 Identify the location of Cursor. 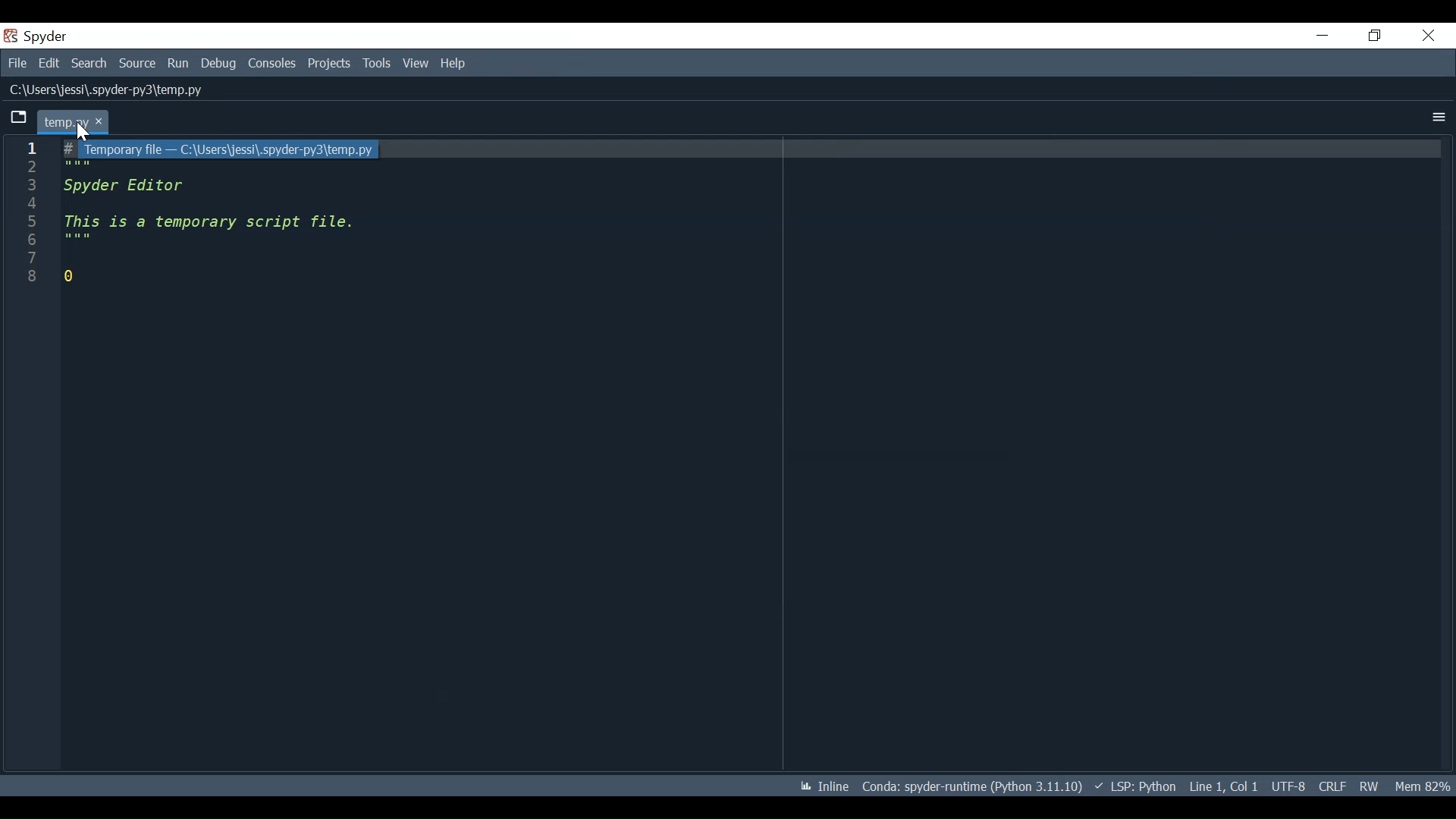
(81, 132).